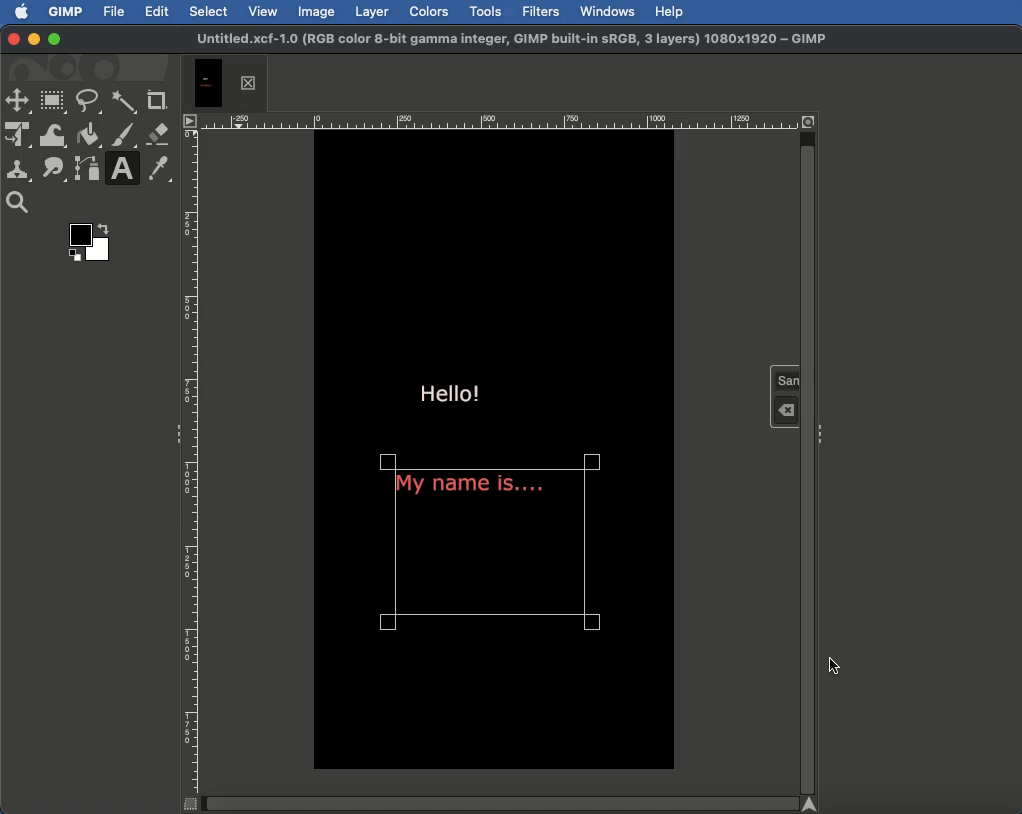  I want to click on Pain, so click(122, 133).